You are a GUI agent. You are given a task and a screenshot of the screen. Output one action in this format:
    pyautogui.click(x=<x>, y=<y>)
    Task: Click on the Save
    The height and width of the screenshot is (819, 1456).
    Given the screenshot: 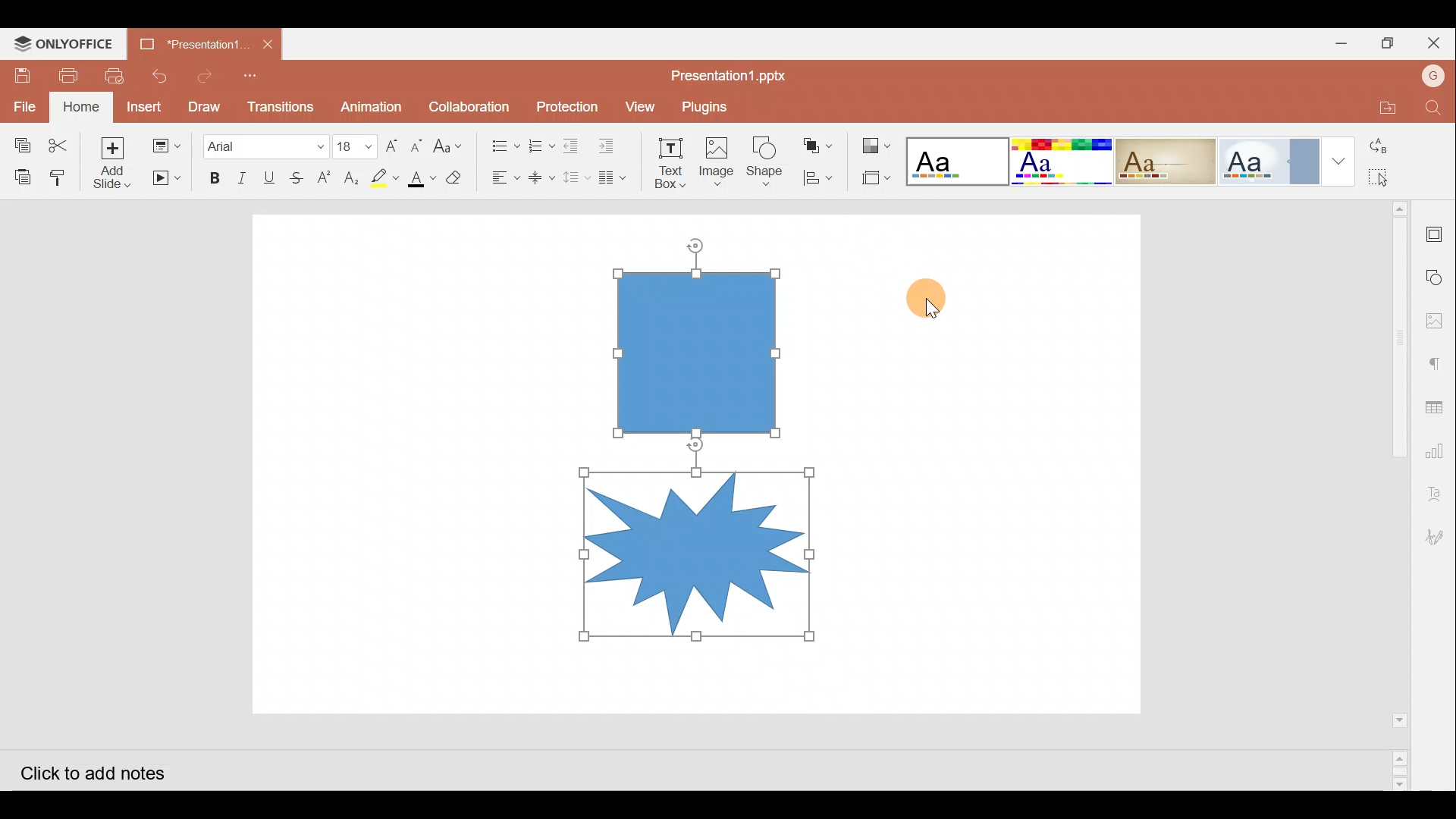 What is the action you would take?
    pyautogui.click(x=24, y=71)
    